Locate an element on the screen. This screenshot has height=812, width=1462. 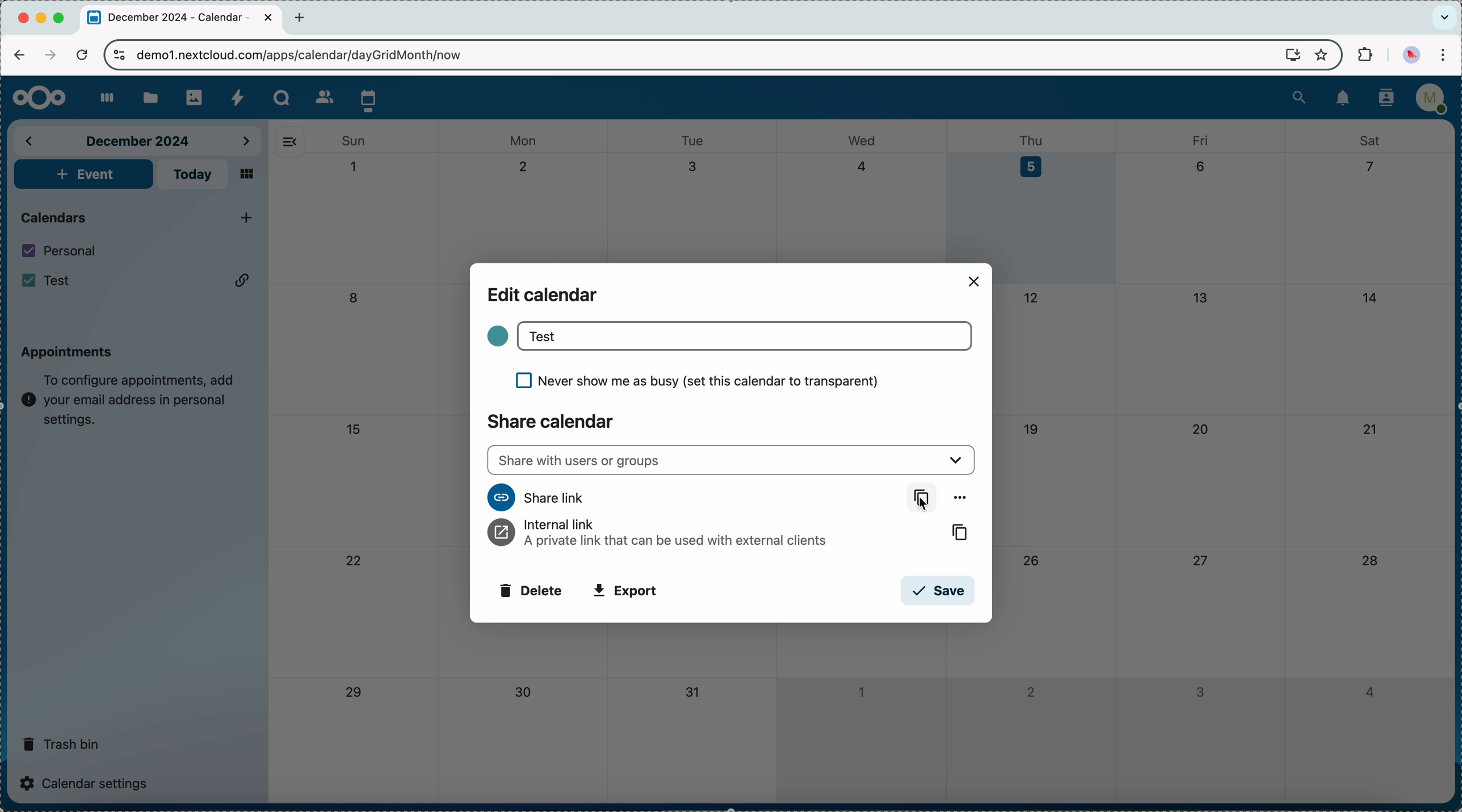
controls is located at coordinates (120, 56).